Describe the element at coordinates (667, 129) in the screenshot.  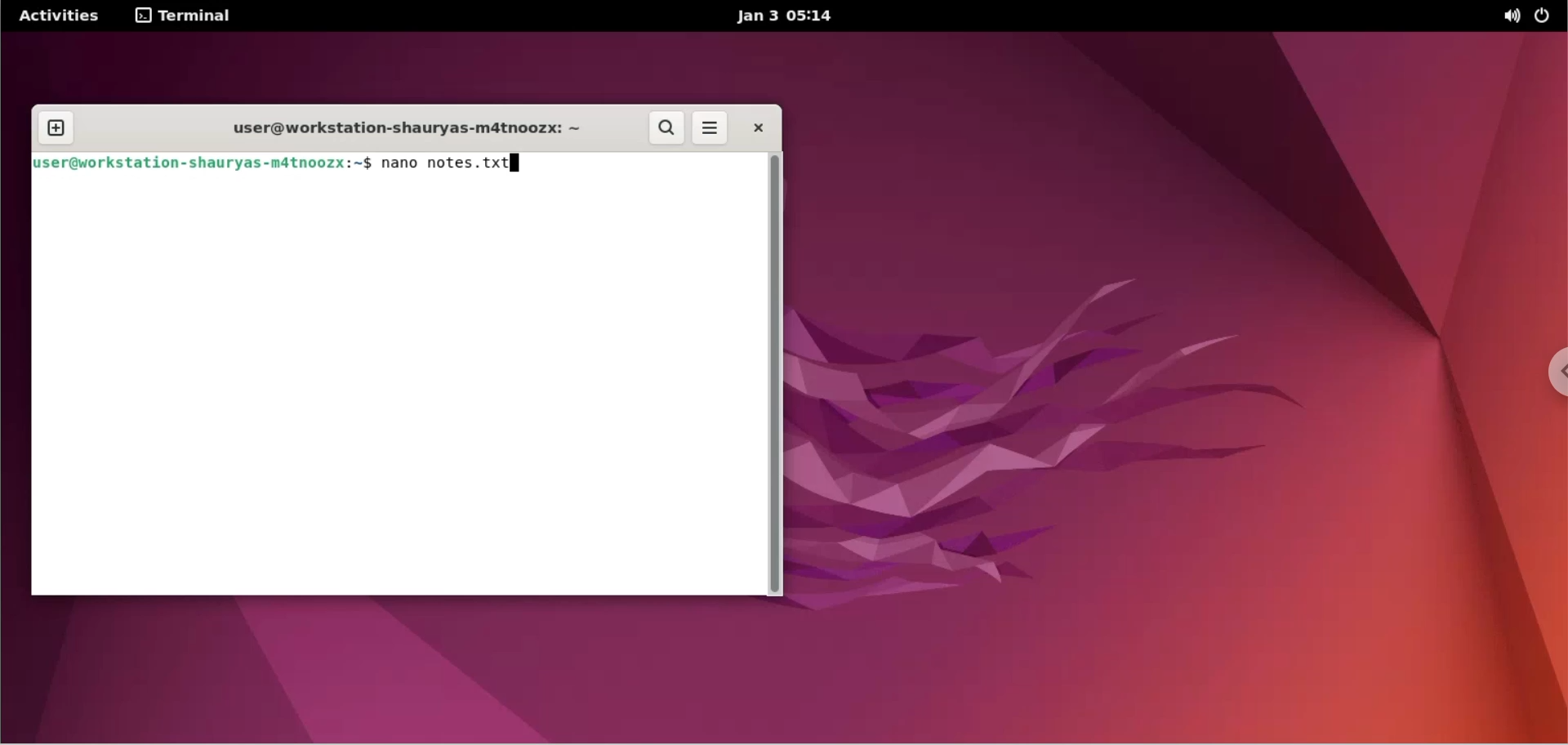
I see `search ` at that location.